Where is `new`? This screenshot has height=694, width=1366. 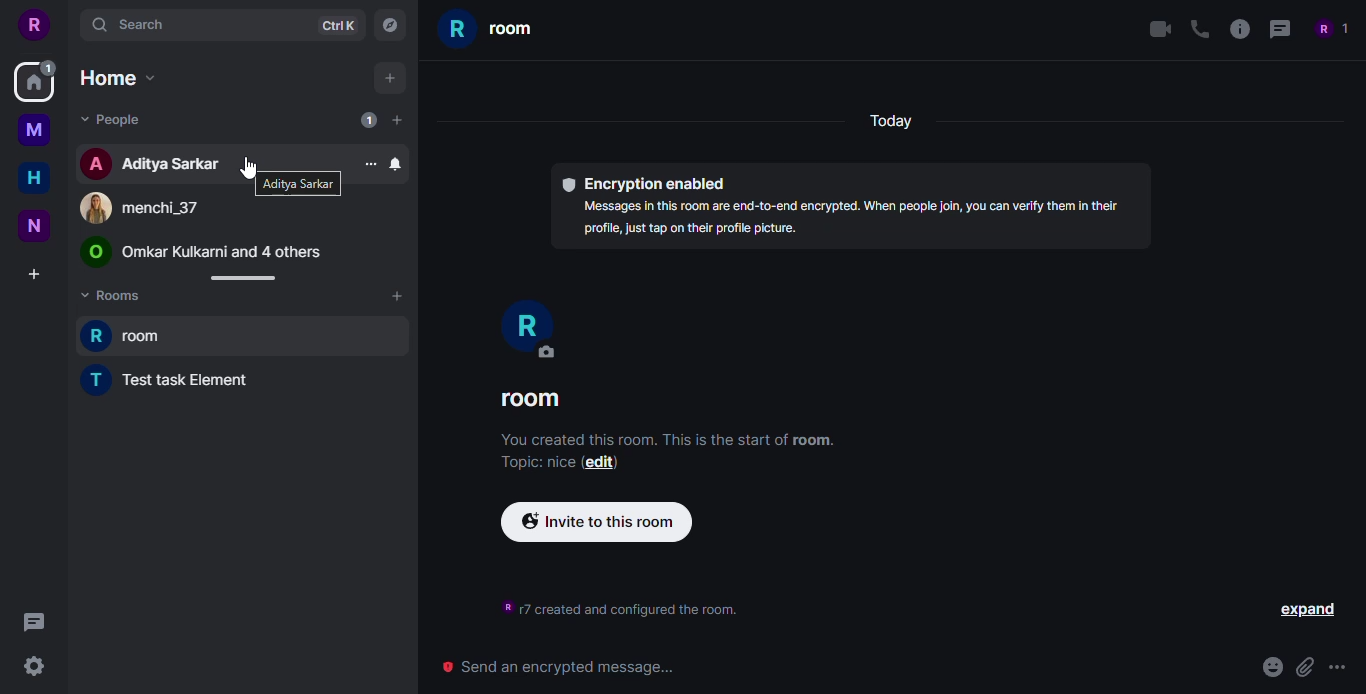
new is located at coordinates (33, 226).